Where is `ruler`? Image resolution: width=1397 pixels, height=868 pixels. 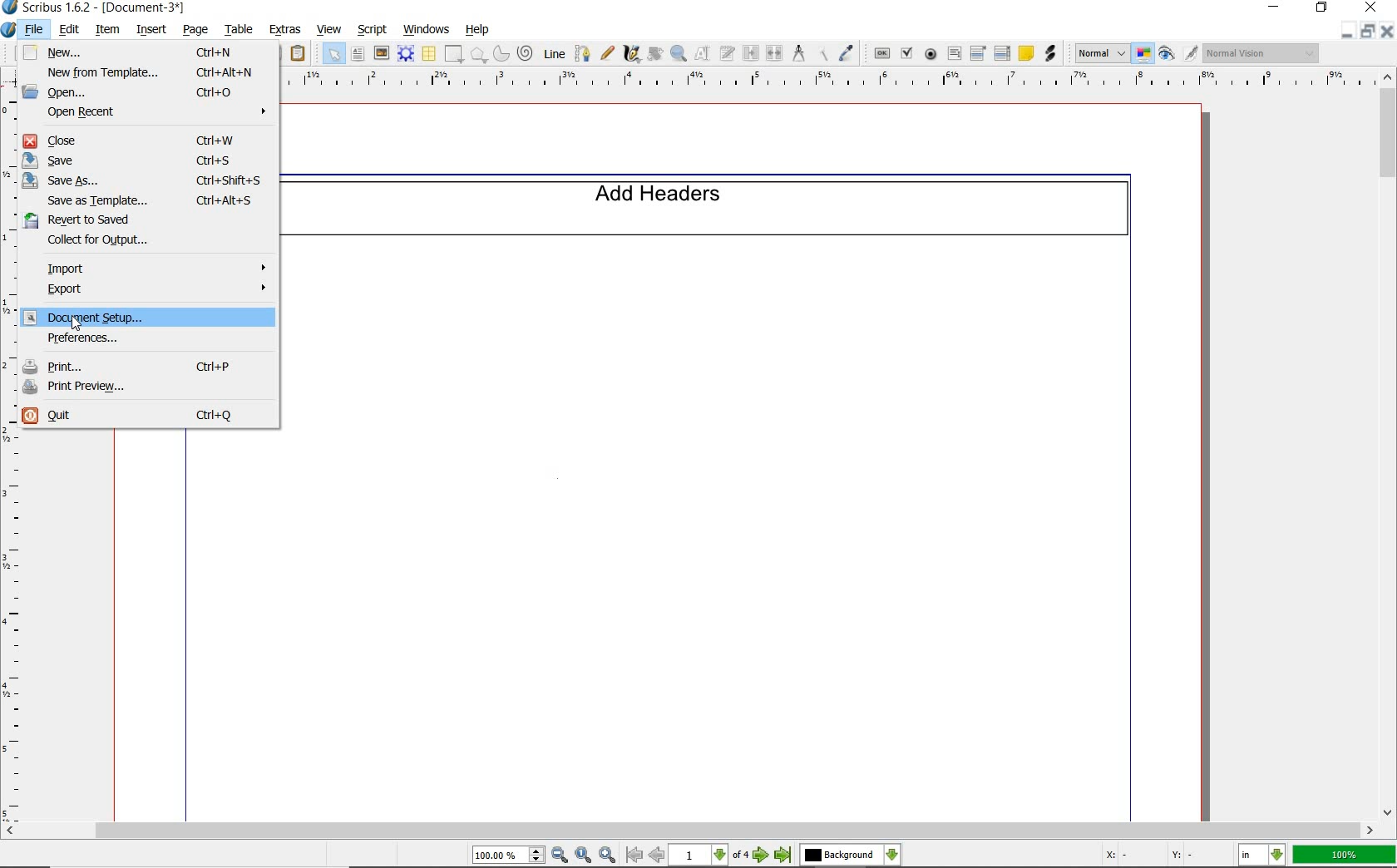 ruler is located at coordinates (12, 624).